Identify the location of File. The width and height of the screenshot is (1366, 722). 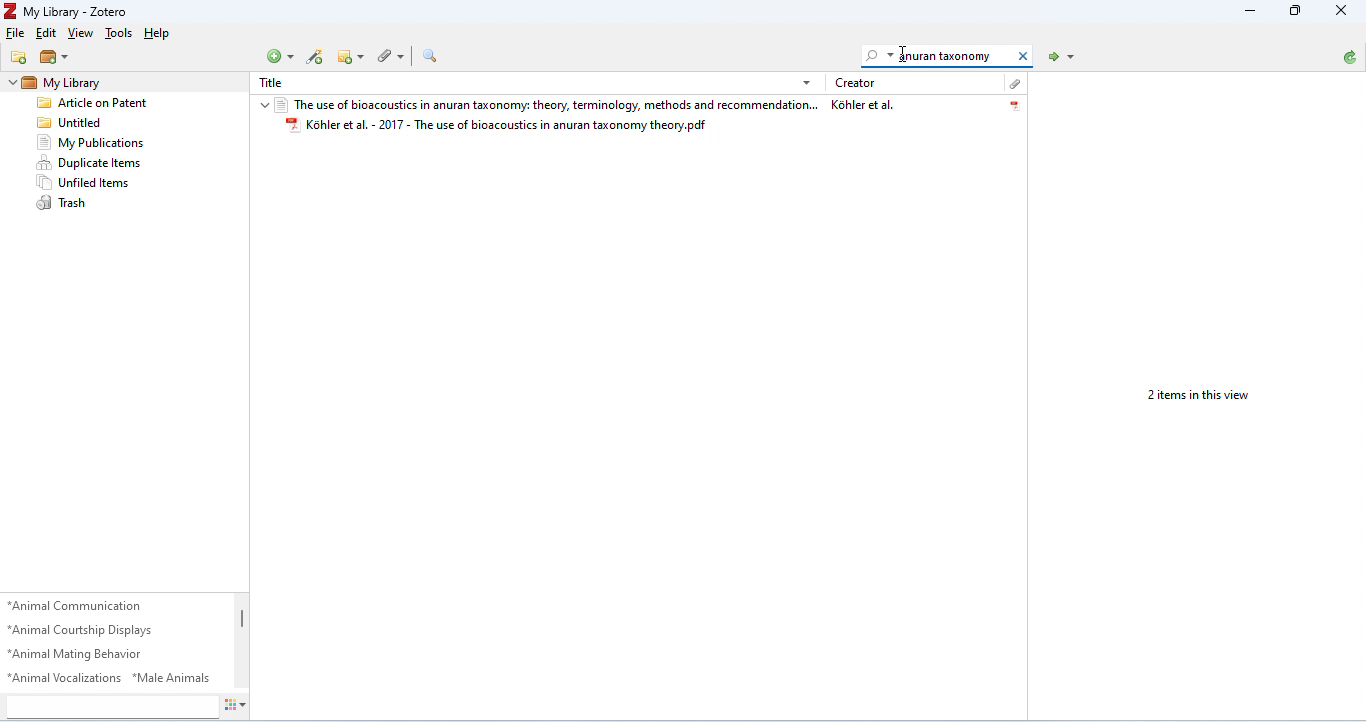
(14, 34).